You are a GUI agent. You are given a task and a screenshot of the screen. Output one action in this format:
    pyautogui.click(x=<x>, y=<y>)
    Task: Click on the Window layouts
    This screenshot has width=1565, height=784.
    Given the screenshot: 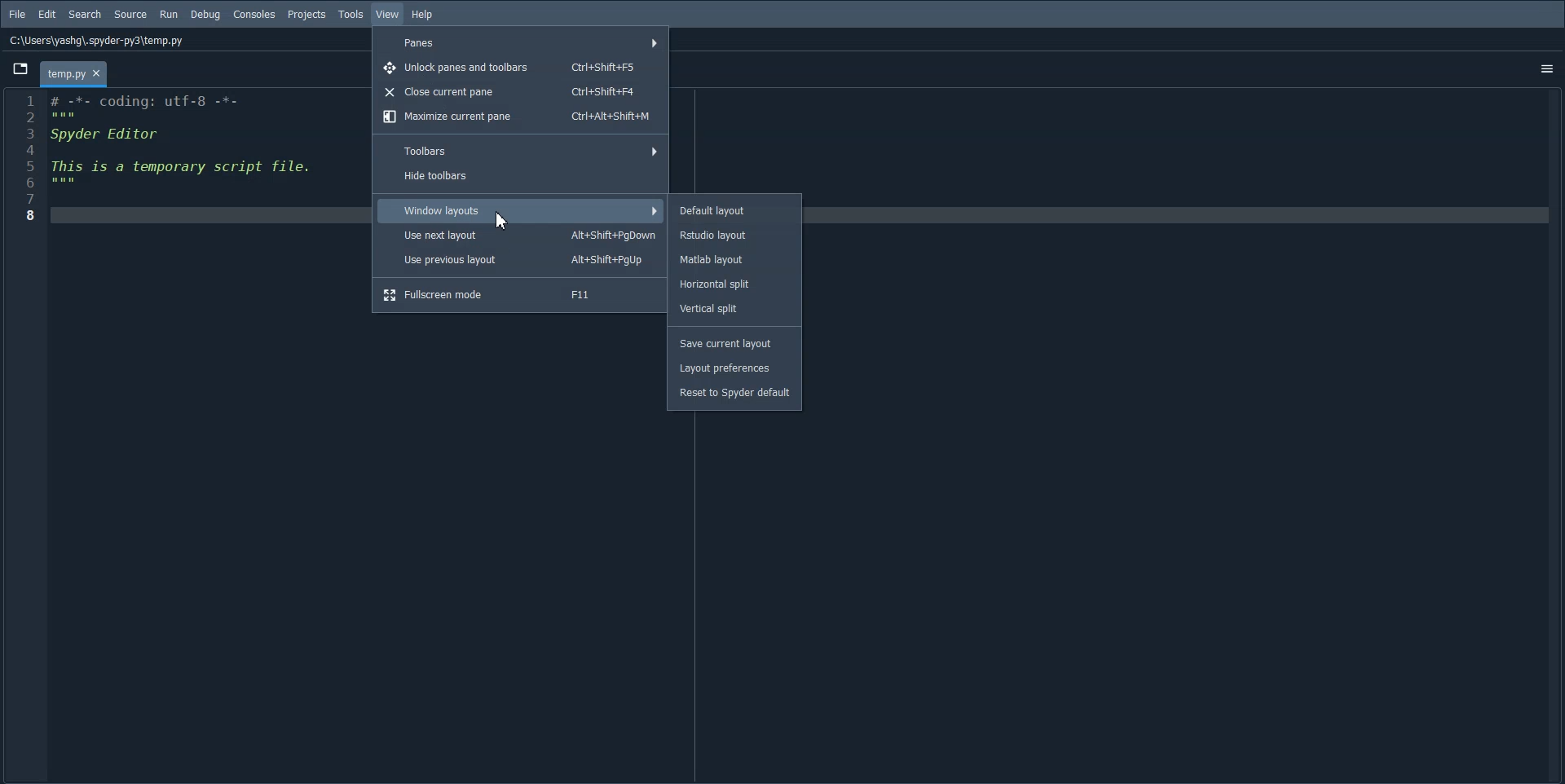 What is the action you would take?
    pyautogui.click(x=520, y=210)
    